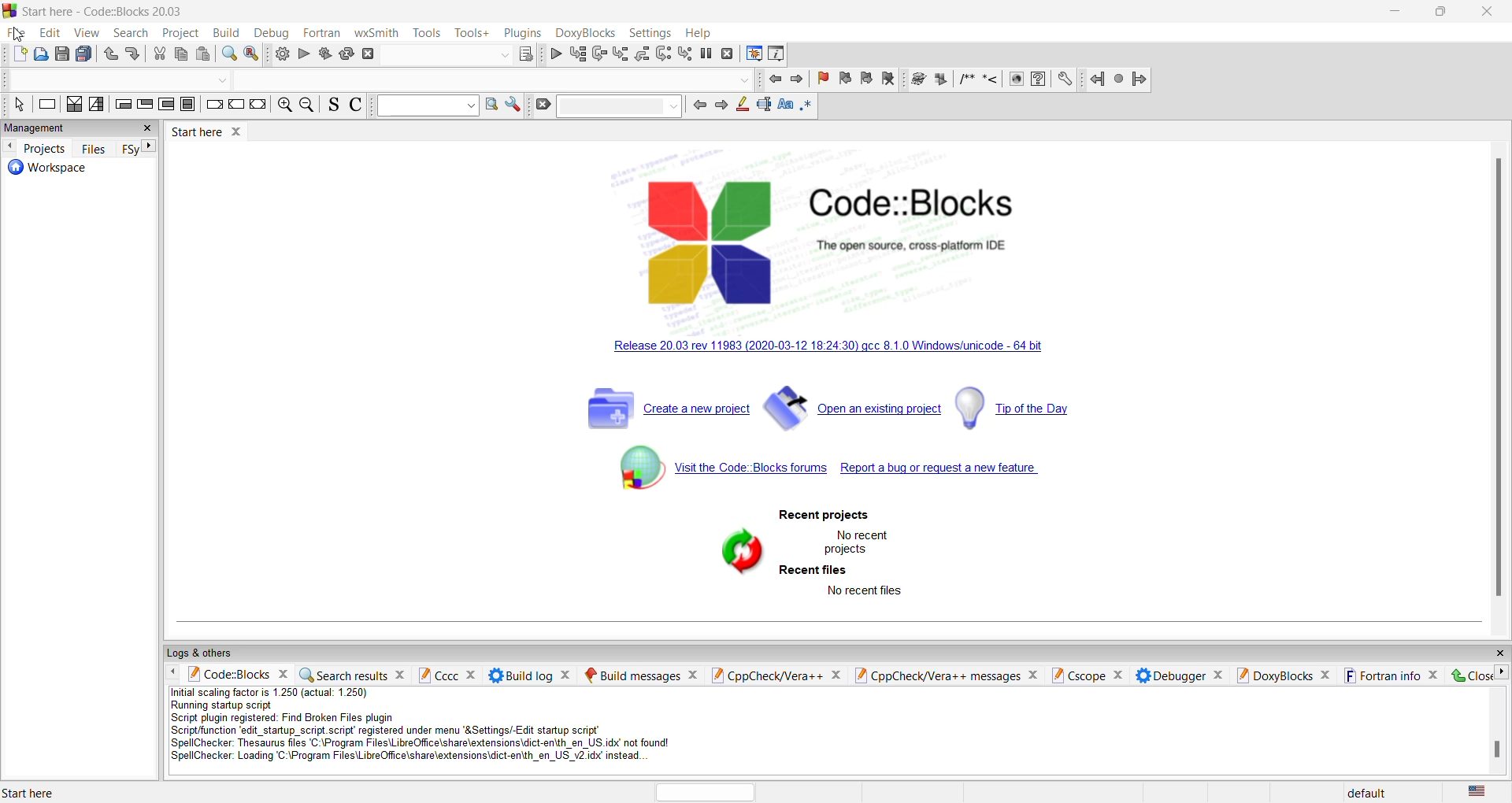  Describe the element at coordinates (787, 105) in the screenshot. I see `match case` at that location.